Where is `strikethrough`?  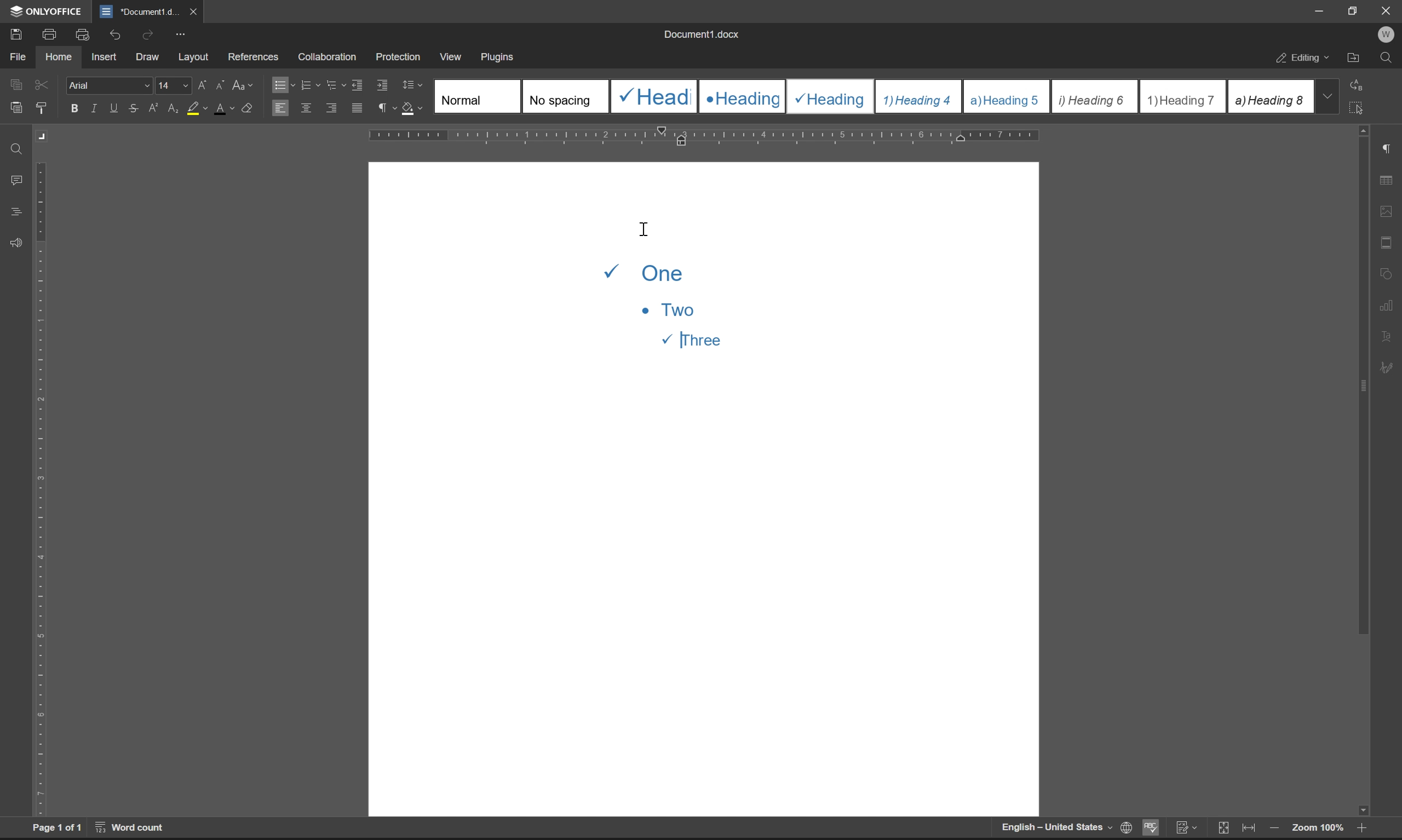
strikethrough is located at coordinates (135, 108).